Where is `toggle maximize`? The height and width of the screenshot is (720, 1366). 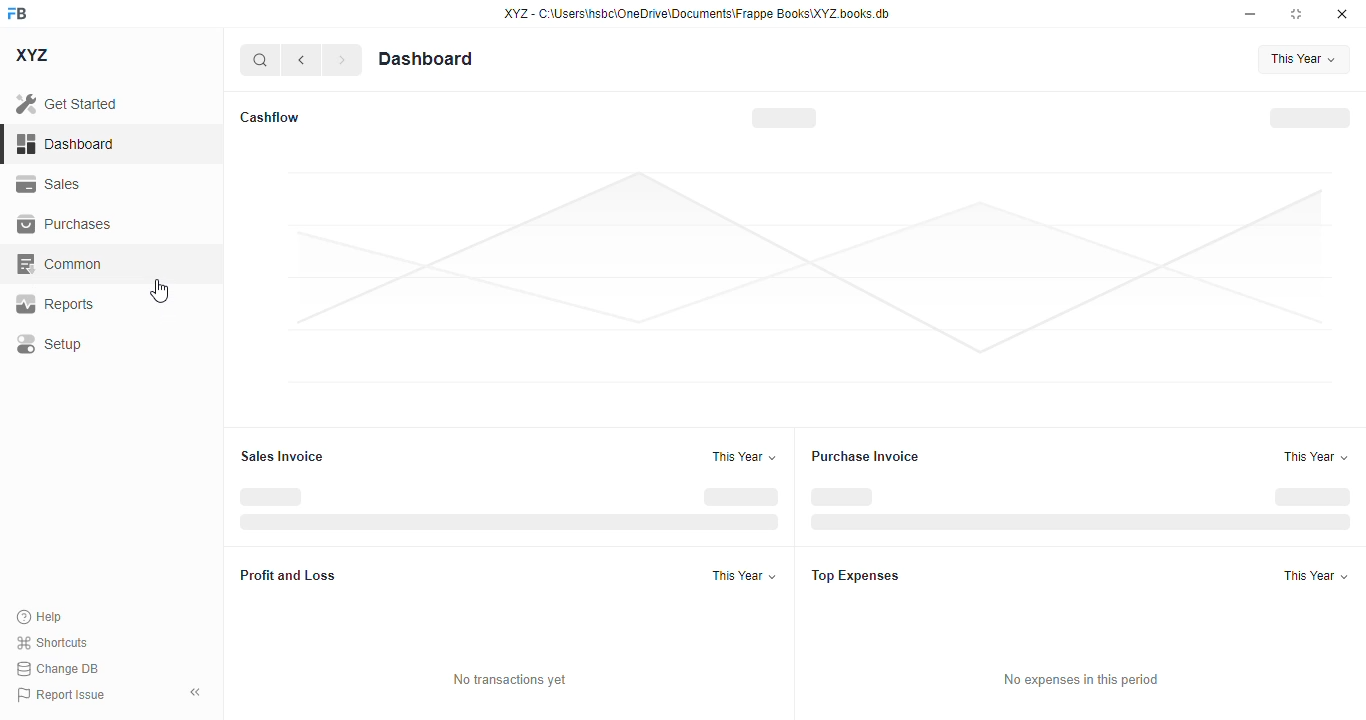 toggle maximize is located at coordinates (1295, 14).